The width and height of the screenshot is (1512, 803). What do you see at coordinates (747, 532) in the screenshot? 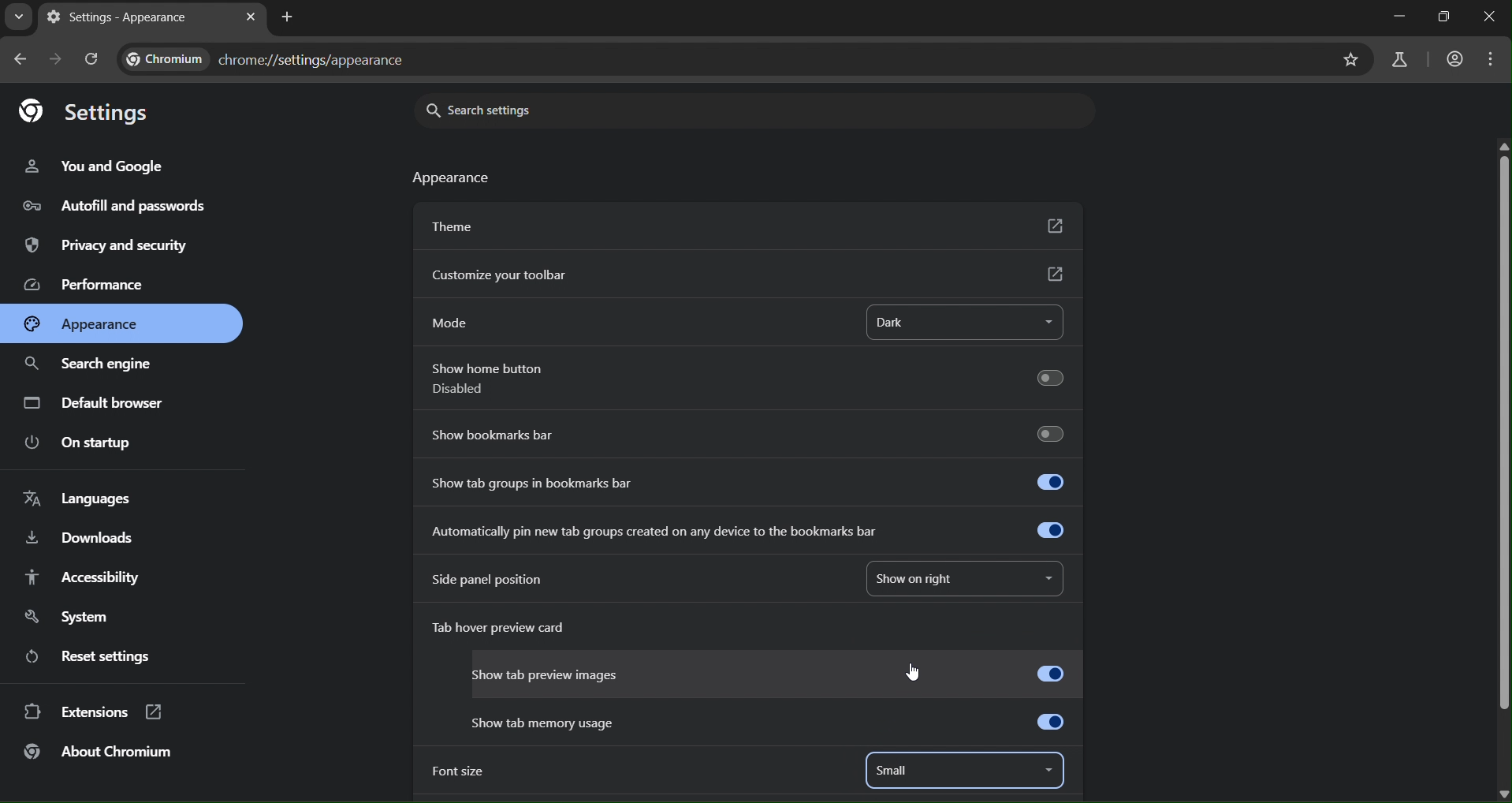
I see `automatically pin new tab created on any device to the bookmarks bar` at bounding box center [747, 532].